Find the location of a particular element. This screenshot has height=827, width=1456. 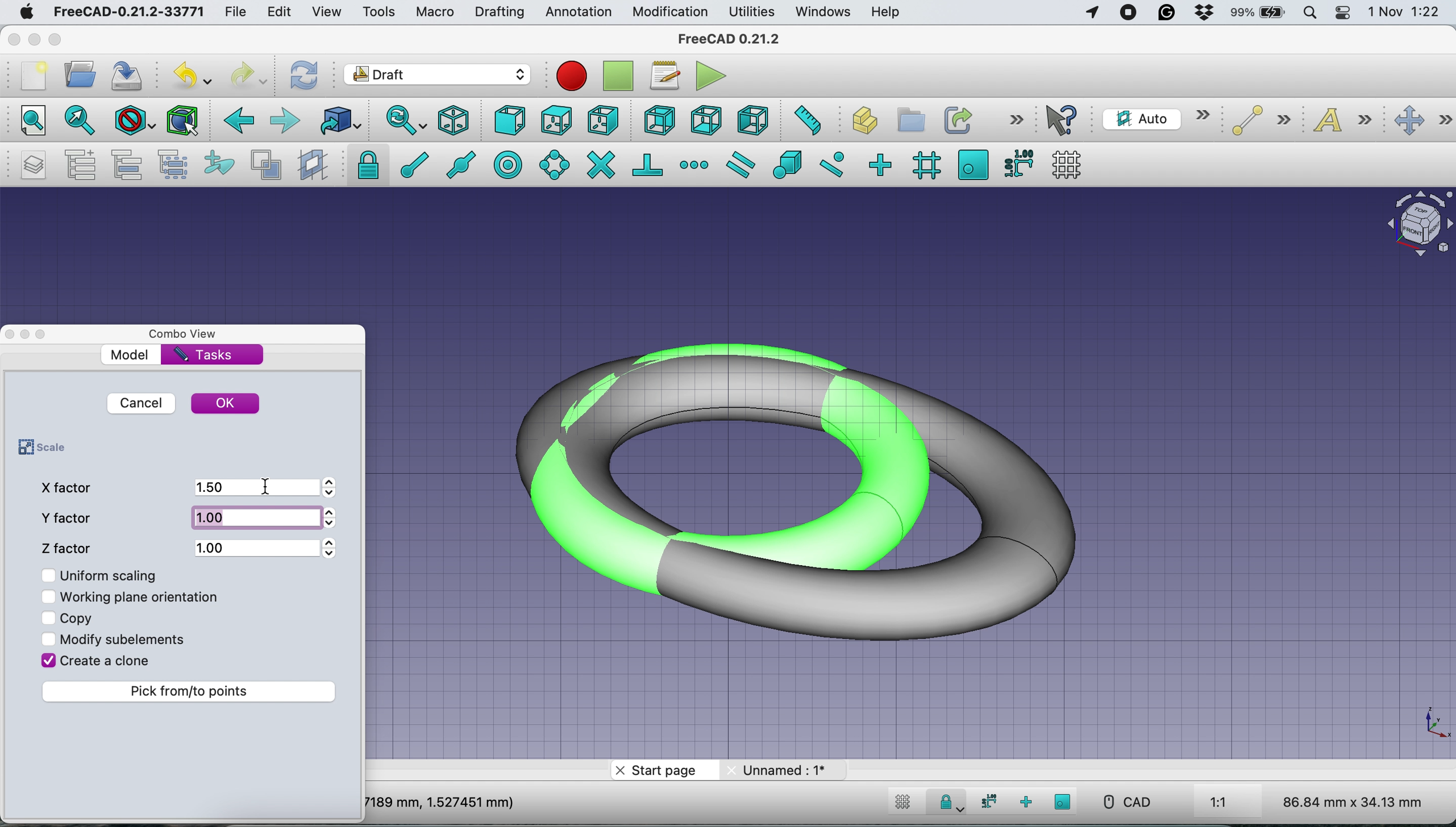

snap working plane is located at coordinates (1063, 801).